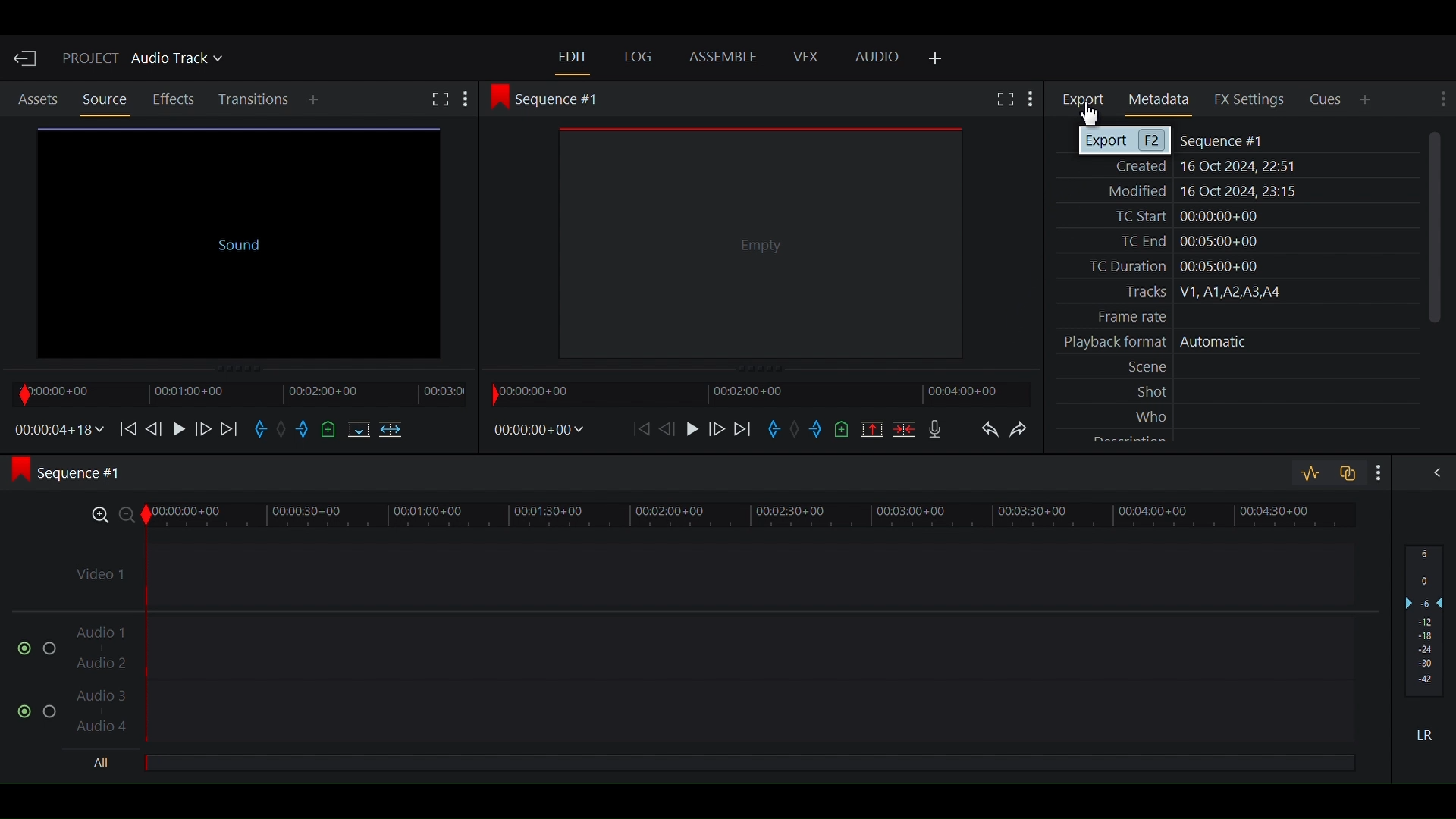 The width and height of the screenshot is (1456, 819). I want to click on Play, so click(178, 428).